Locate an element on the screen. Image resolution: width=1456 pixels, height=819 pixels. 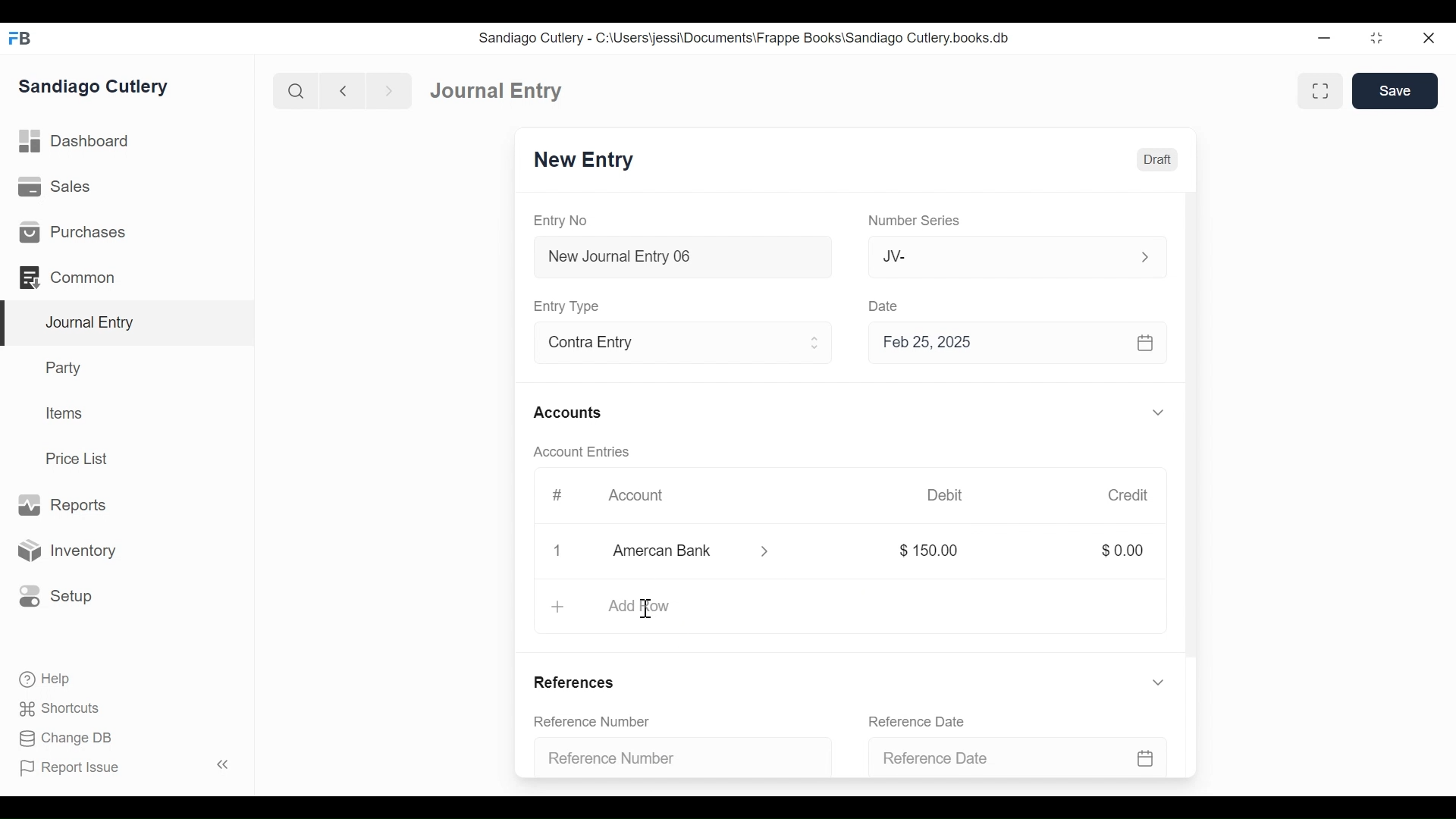
Entry Type is located at coordinates (569, 306).